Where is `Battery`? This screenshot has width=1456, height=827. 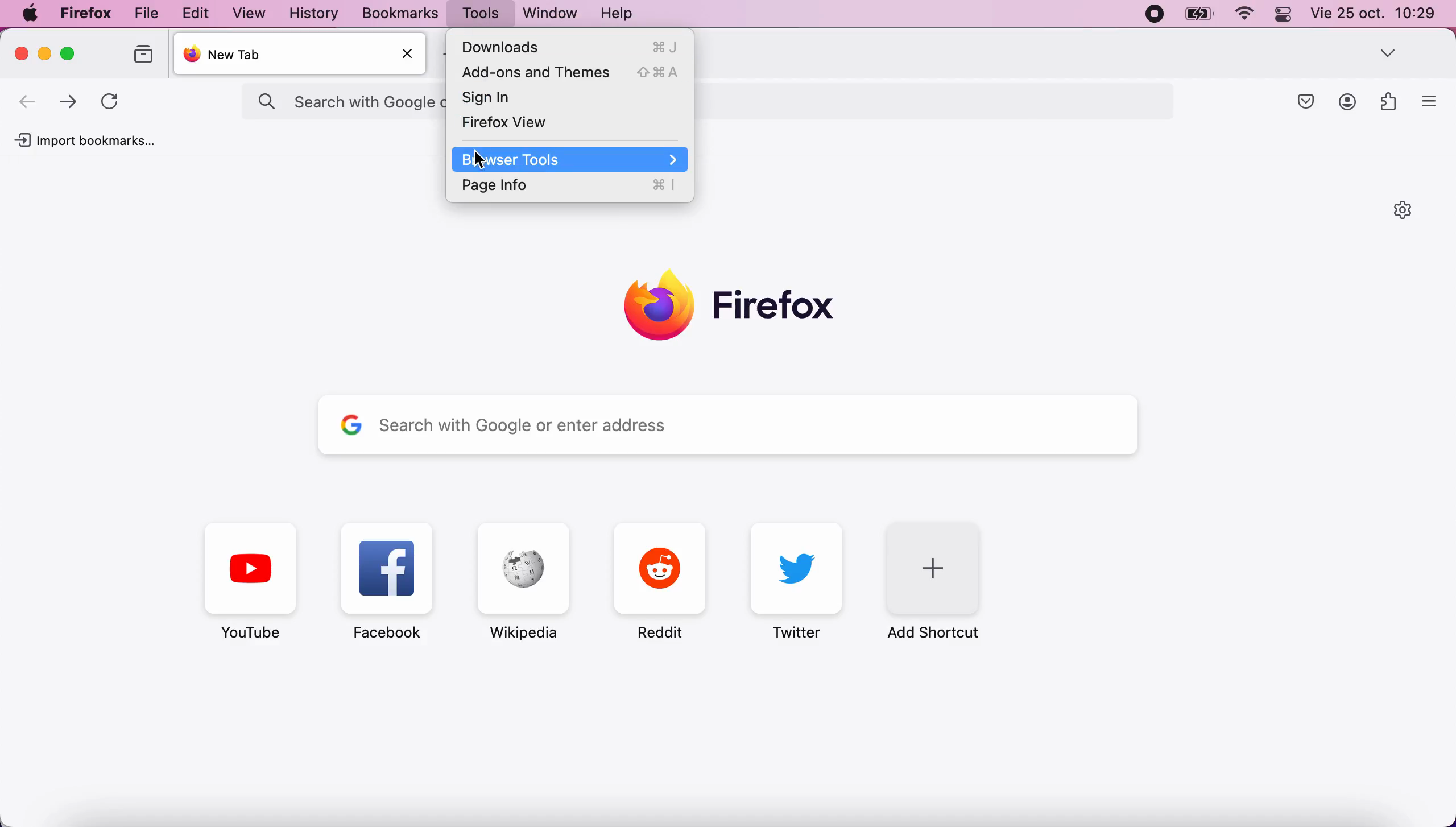 Battery is located at coordinates (1199, 14).